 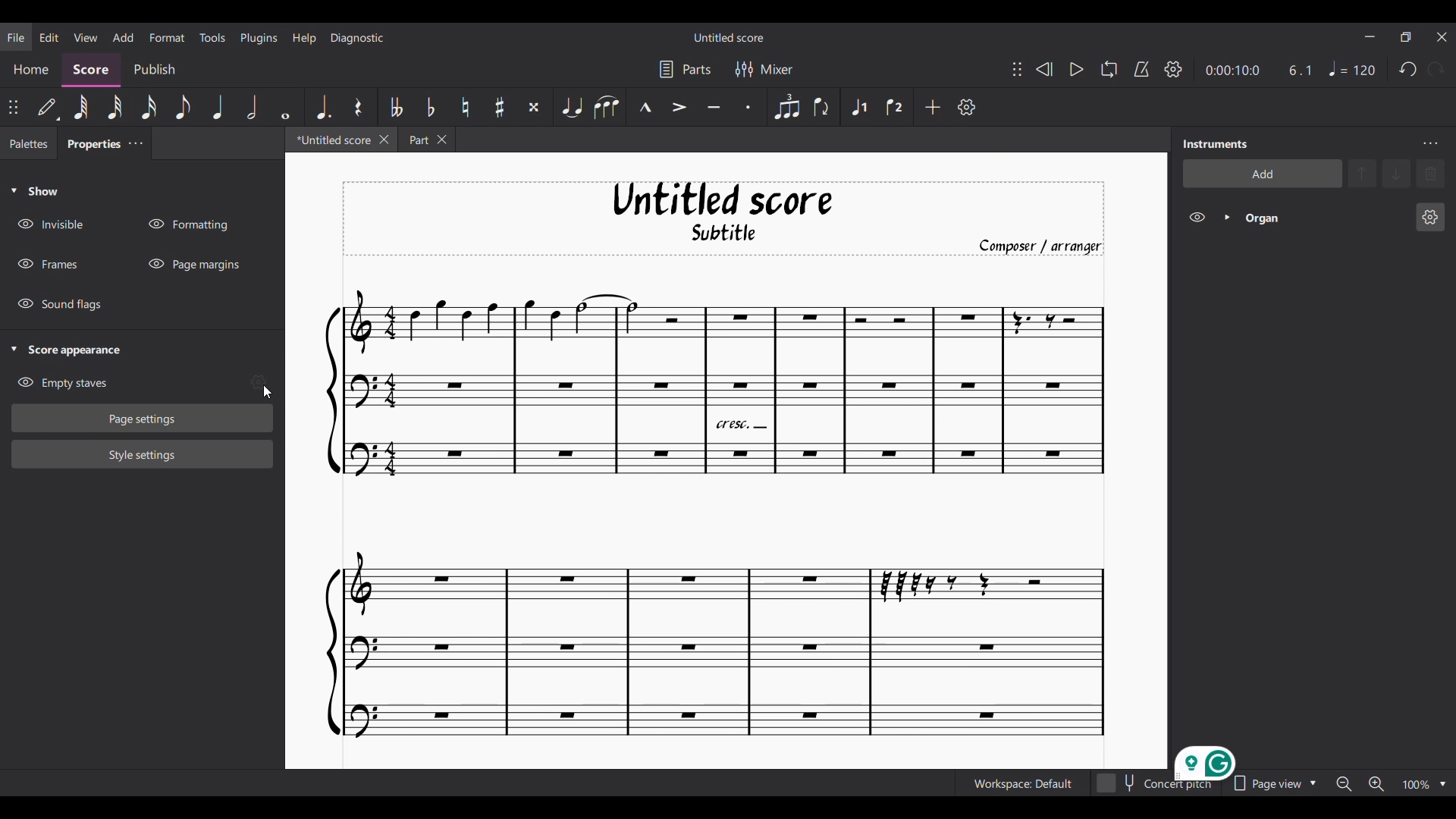 I want to click on Hide Invisible, so click(x=50, y=224).